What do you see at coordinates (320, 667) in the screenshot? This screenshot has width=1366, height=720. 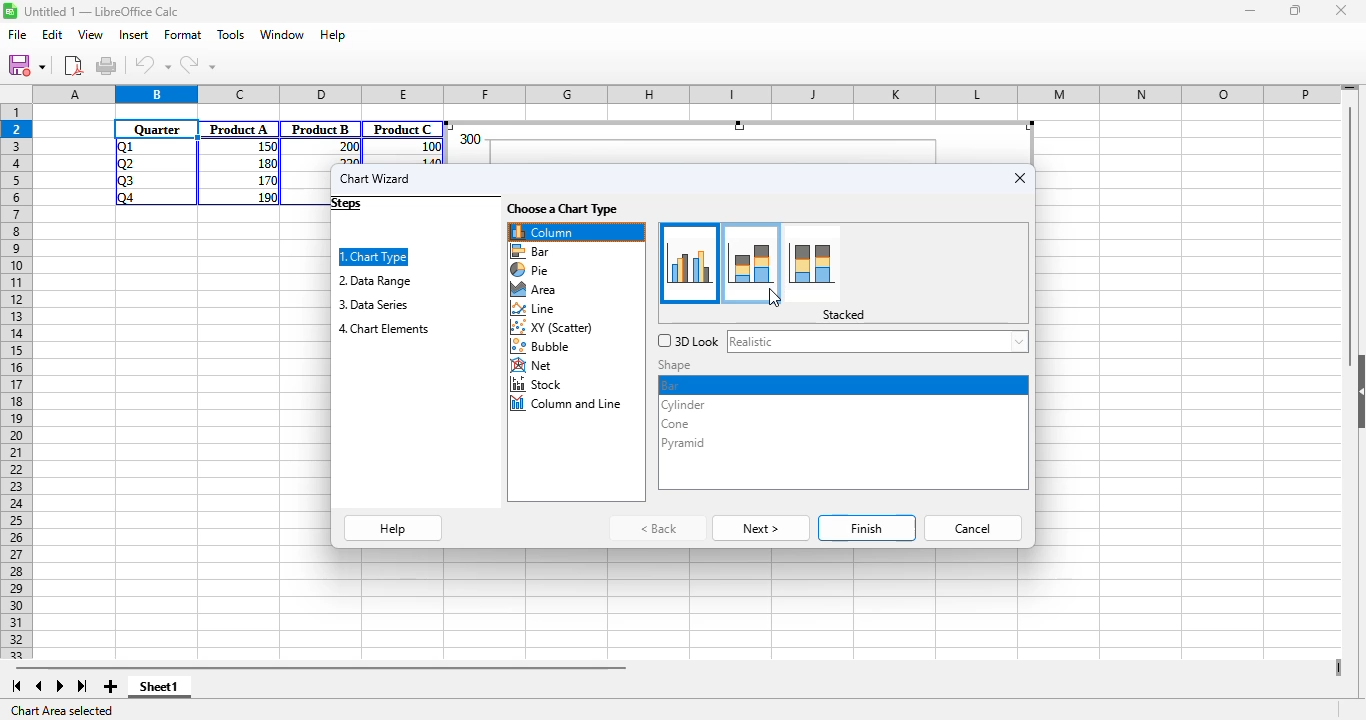 I see `horizontal scroll bar` at bounding box center [320, 667].